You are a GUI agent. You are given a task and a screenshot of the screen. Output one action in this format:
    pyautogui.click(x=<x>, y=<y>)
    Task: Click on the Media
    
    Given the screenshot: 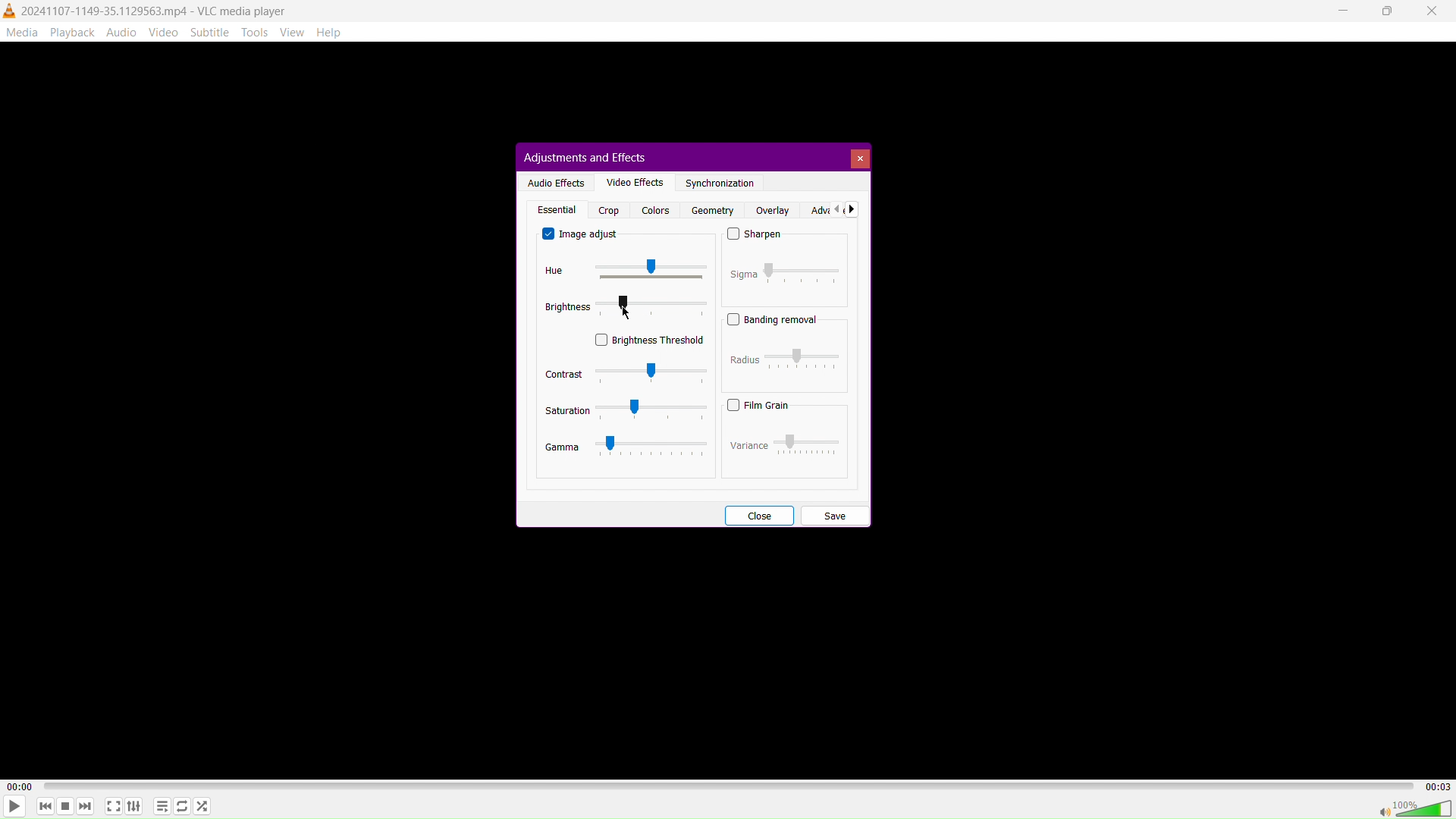 What is the action you would take?
    pyautogui.click(x=21, y=31)
    